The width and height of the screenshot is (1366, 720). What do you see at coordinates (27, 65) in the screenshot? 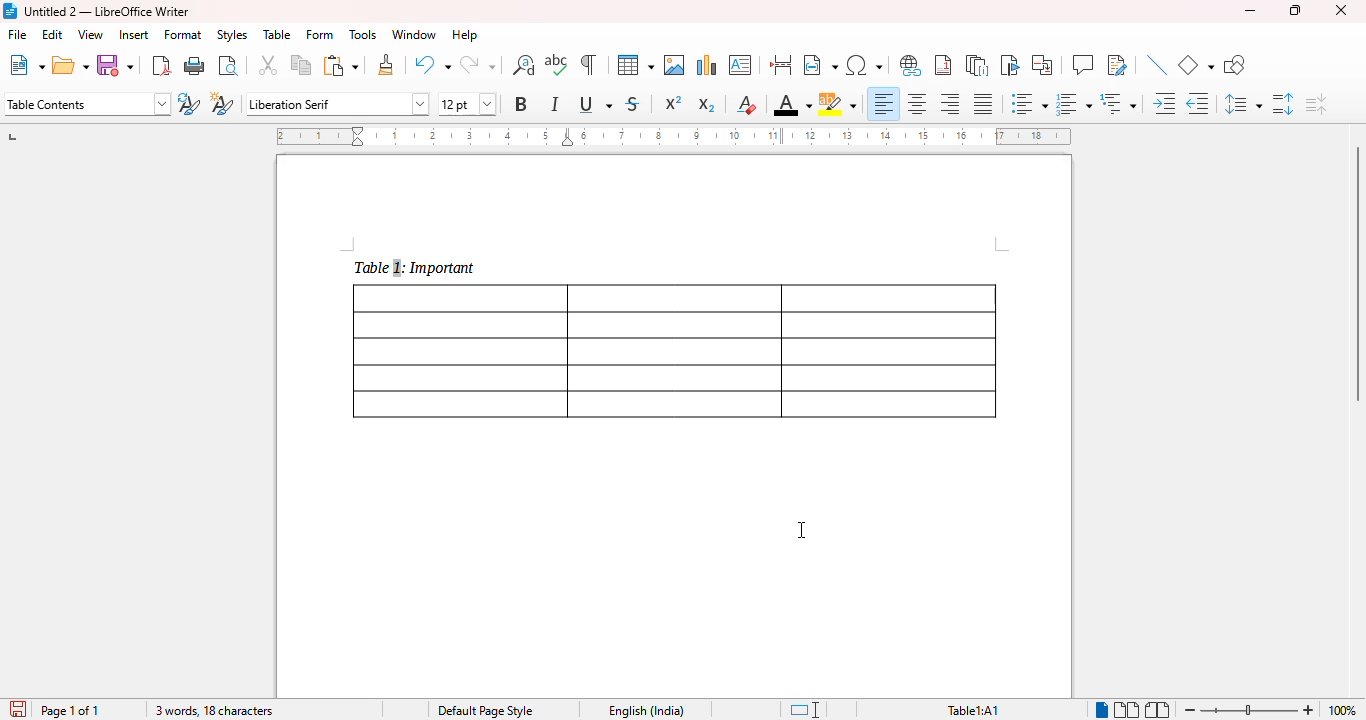
I see `new` at bounding box center [27, 65].